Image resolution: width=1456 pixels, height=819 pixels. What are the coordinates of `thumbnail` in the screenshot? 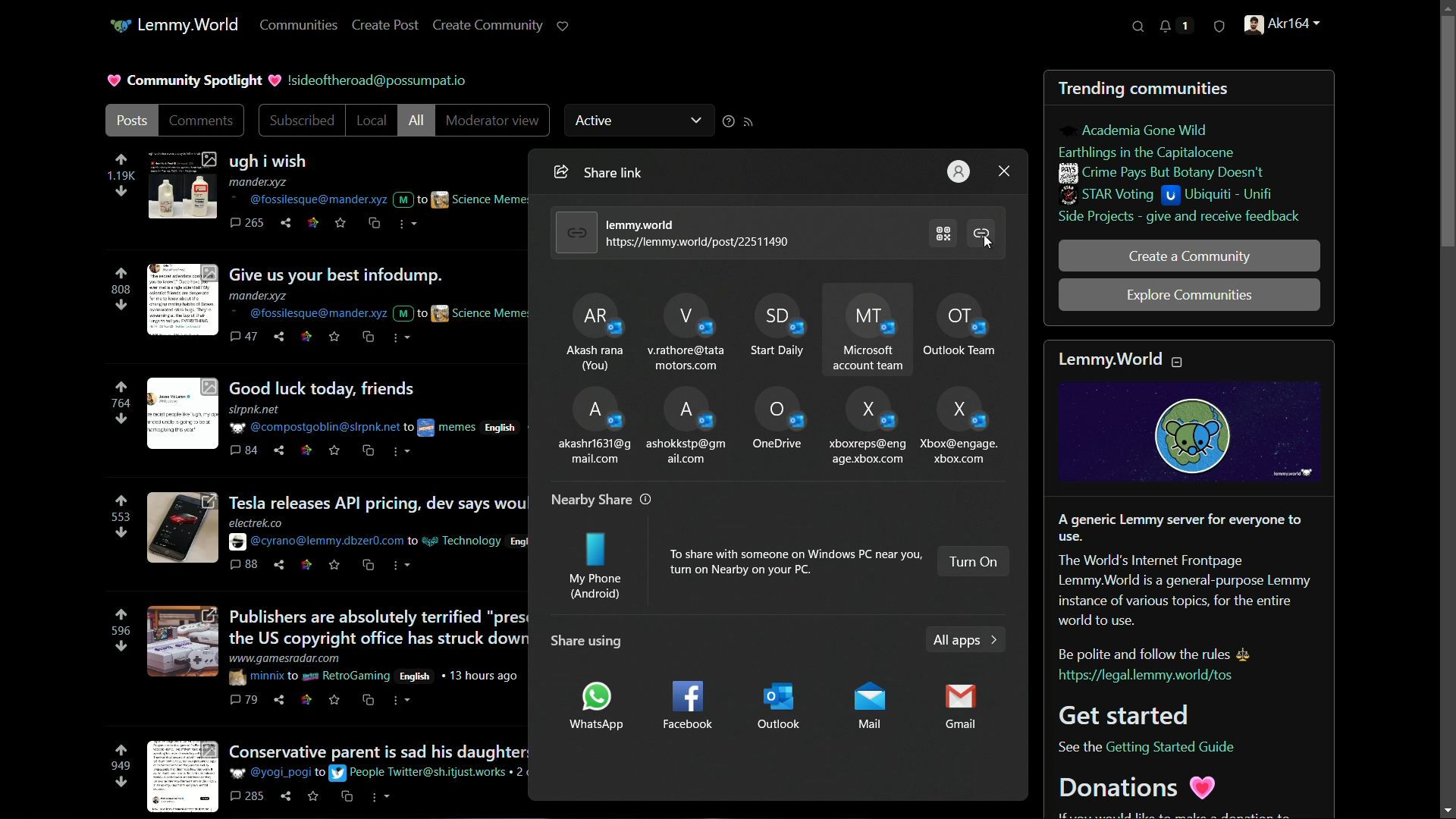 It's located at (180, 643).